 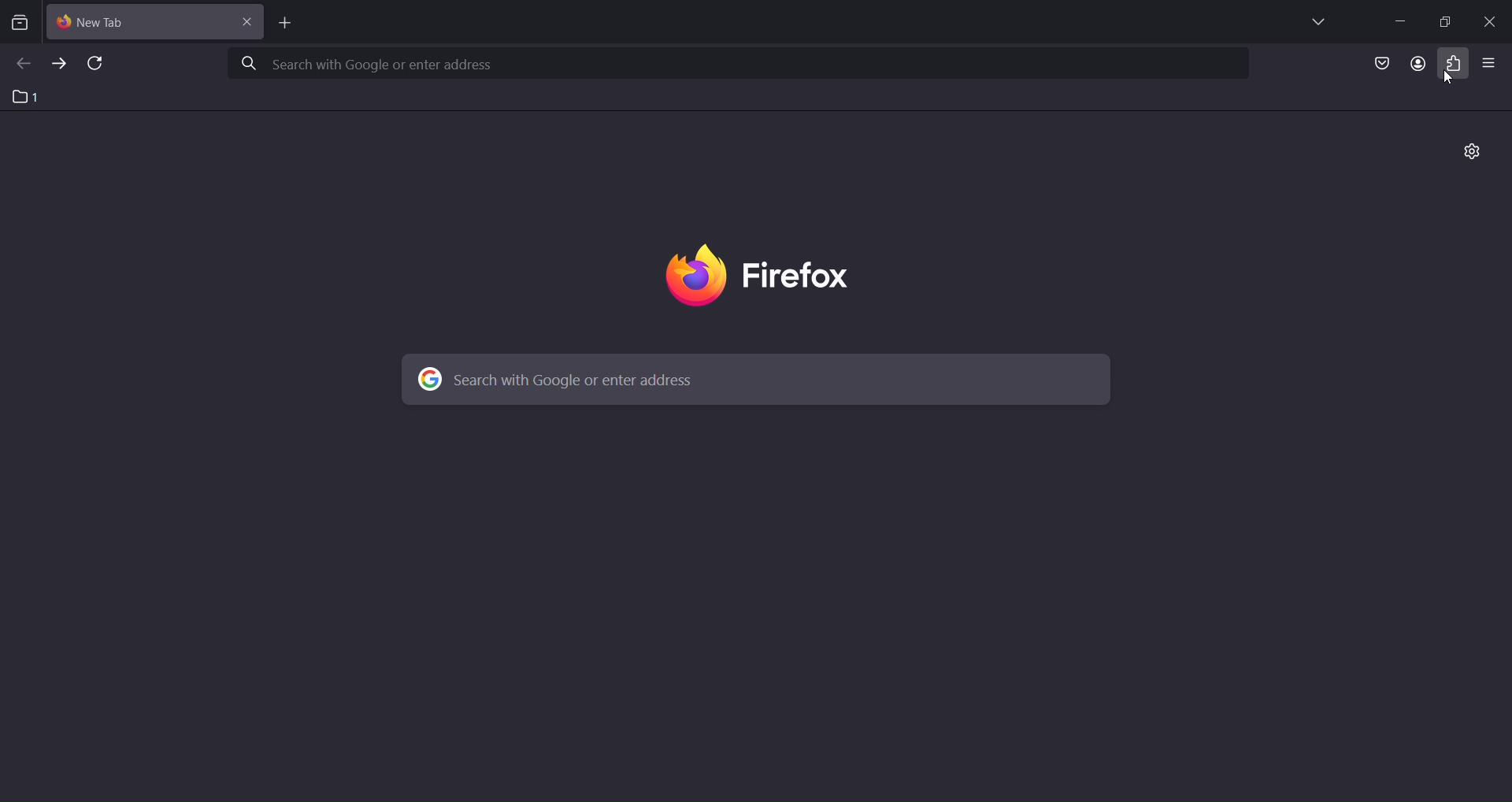 I want to click on search with google or enter address, so click(x=737, y=62).